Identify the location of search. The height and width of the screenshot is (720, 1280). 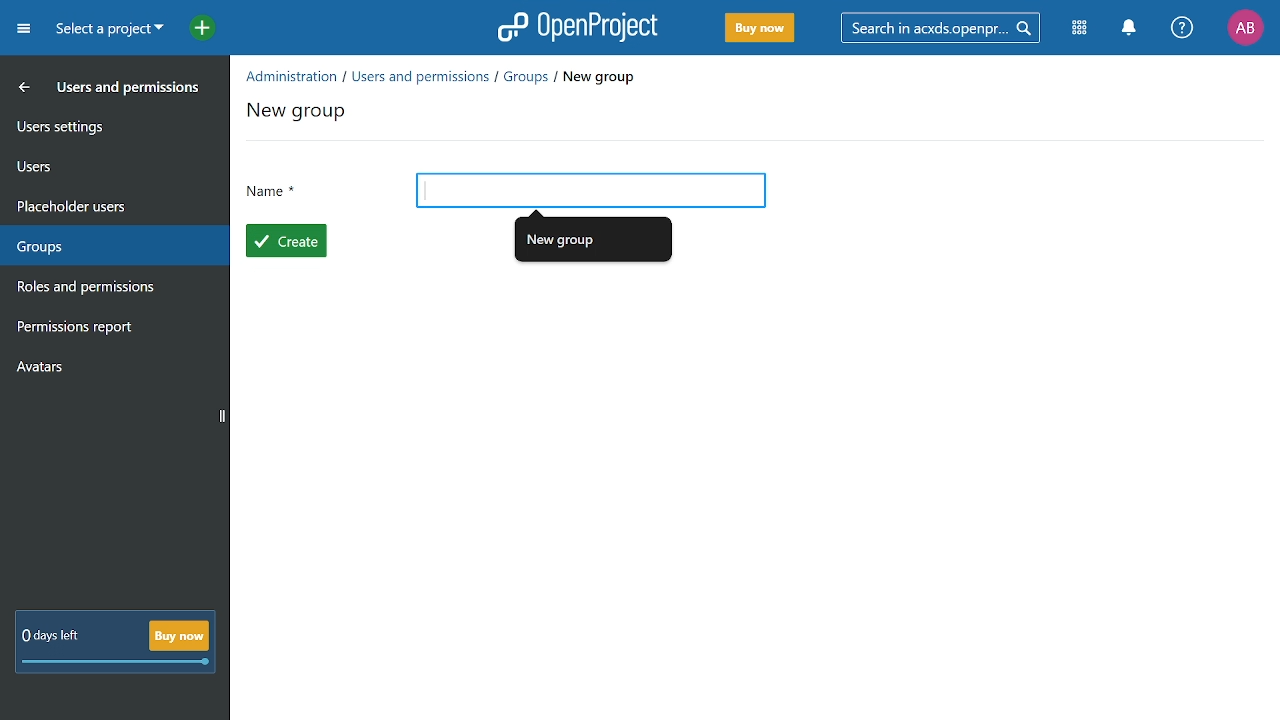
(937, 27).